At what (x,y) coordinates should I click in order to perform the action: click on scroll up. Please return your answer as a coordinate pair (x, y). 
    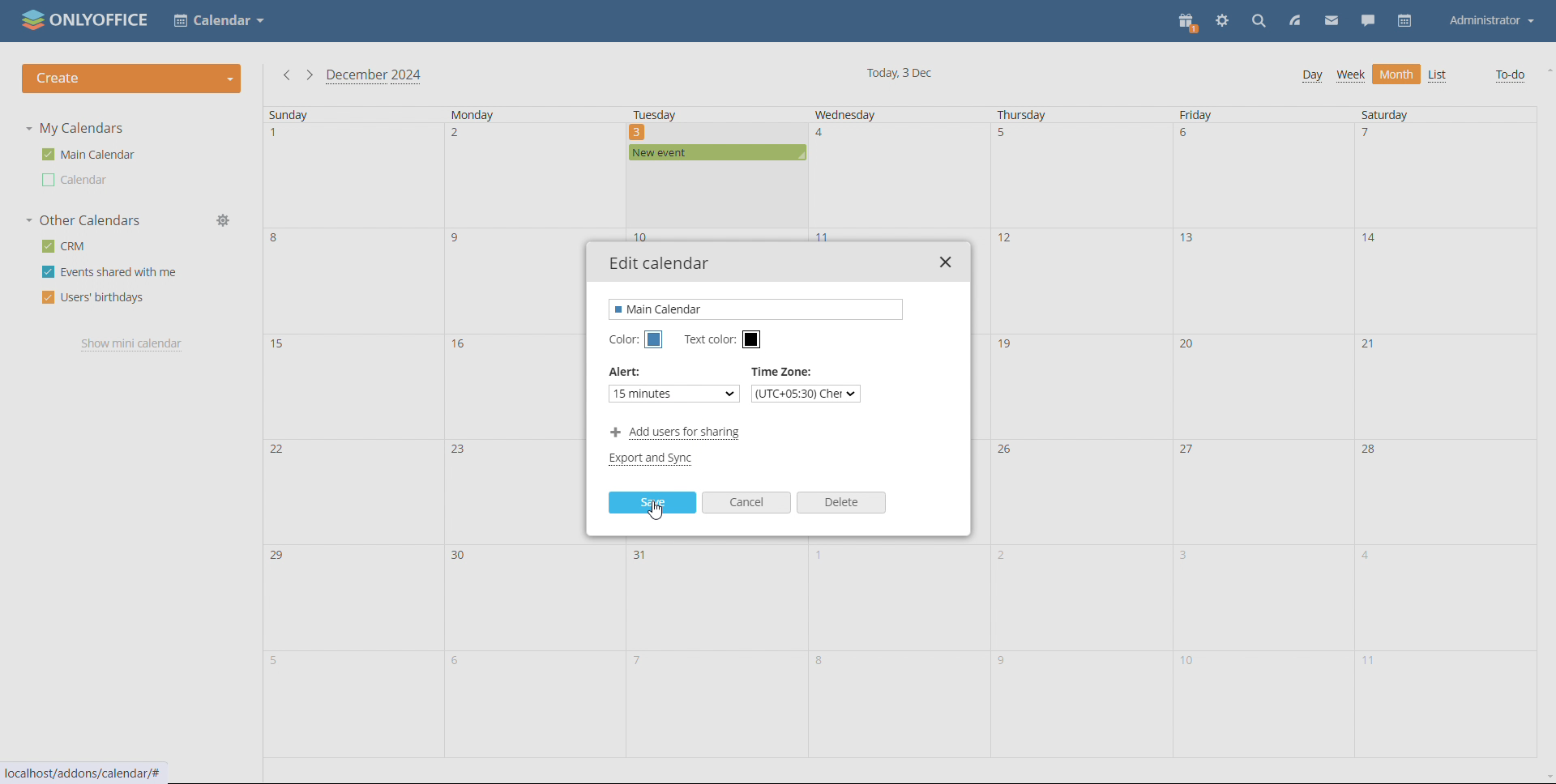
    Looking at the image, I should click on (1546, 69).